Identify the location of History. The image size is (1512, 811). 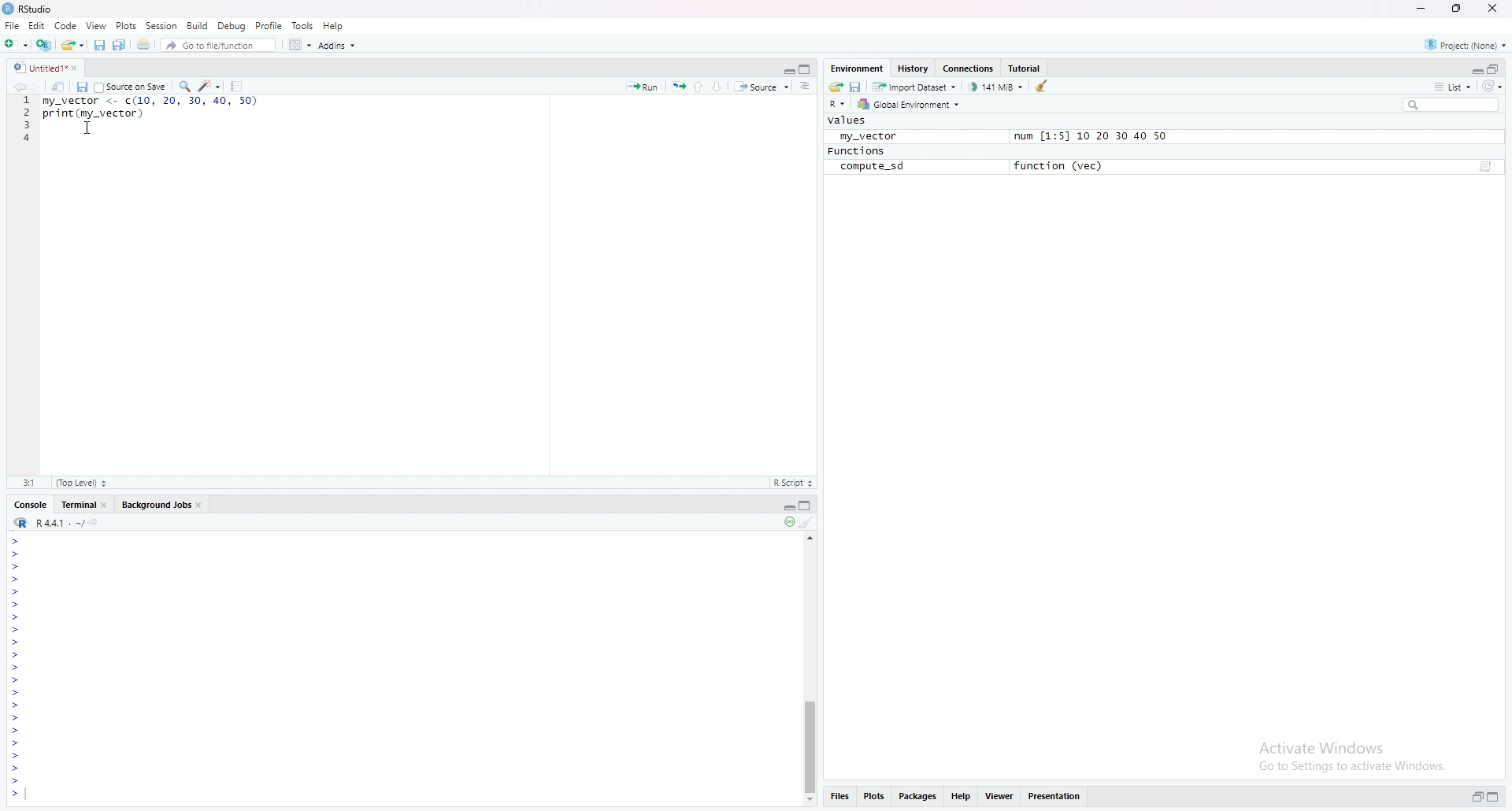
(911, 69).